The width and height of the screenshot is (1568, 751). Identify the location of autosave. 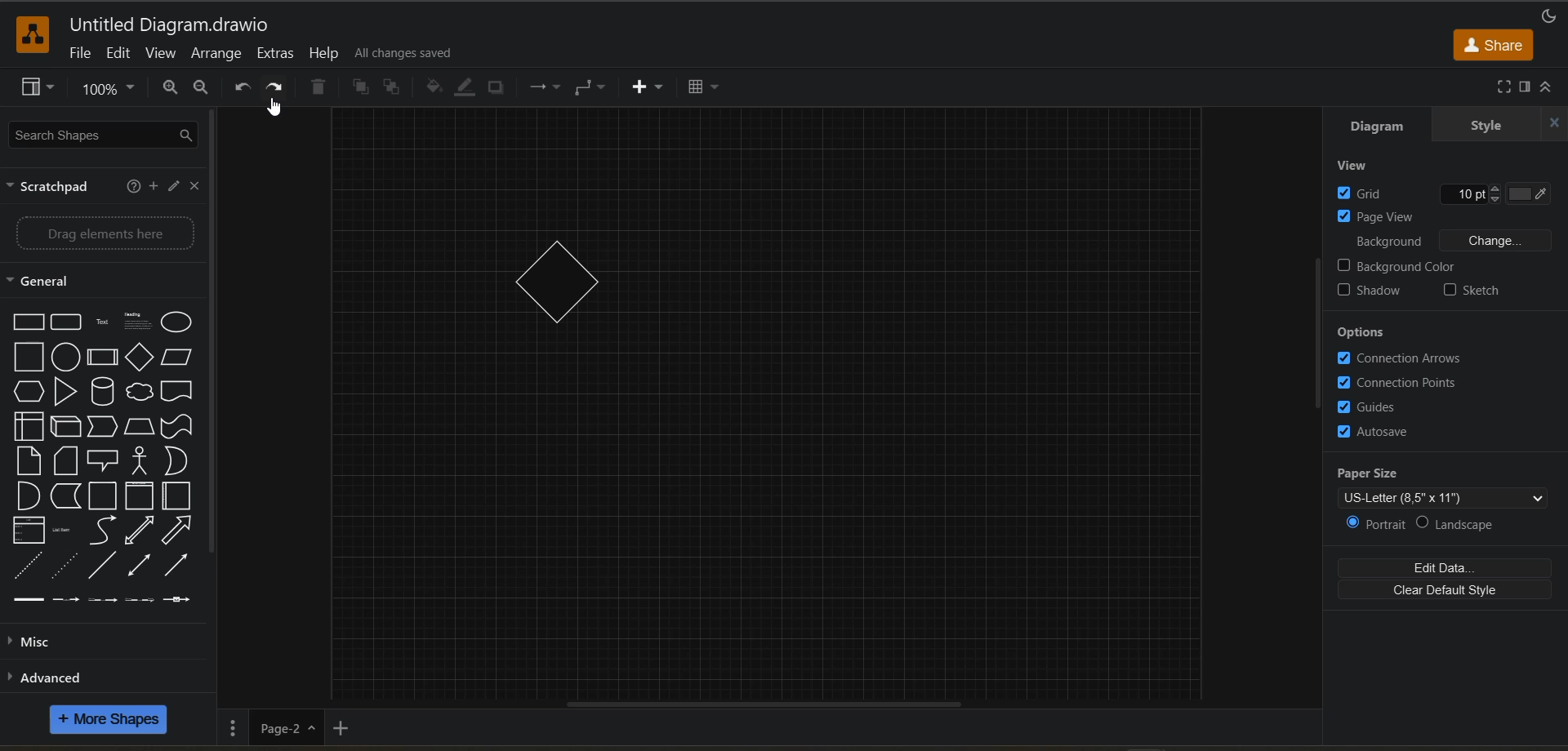
(1370, 430).